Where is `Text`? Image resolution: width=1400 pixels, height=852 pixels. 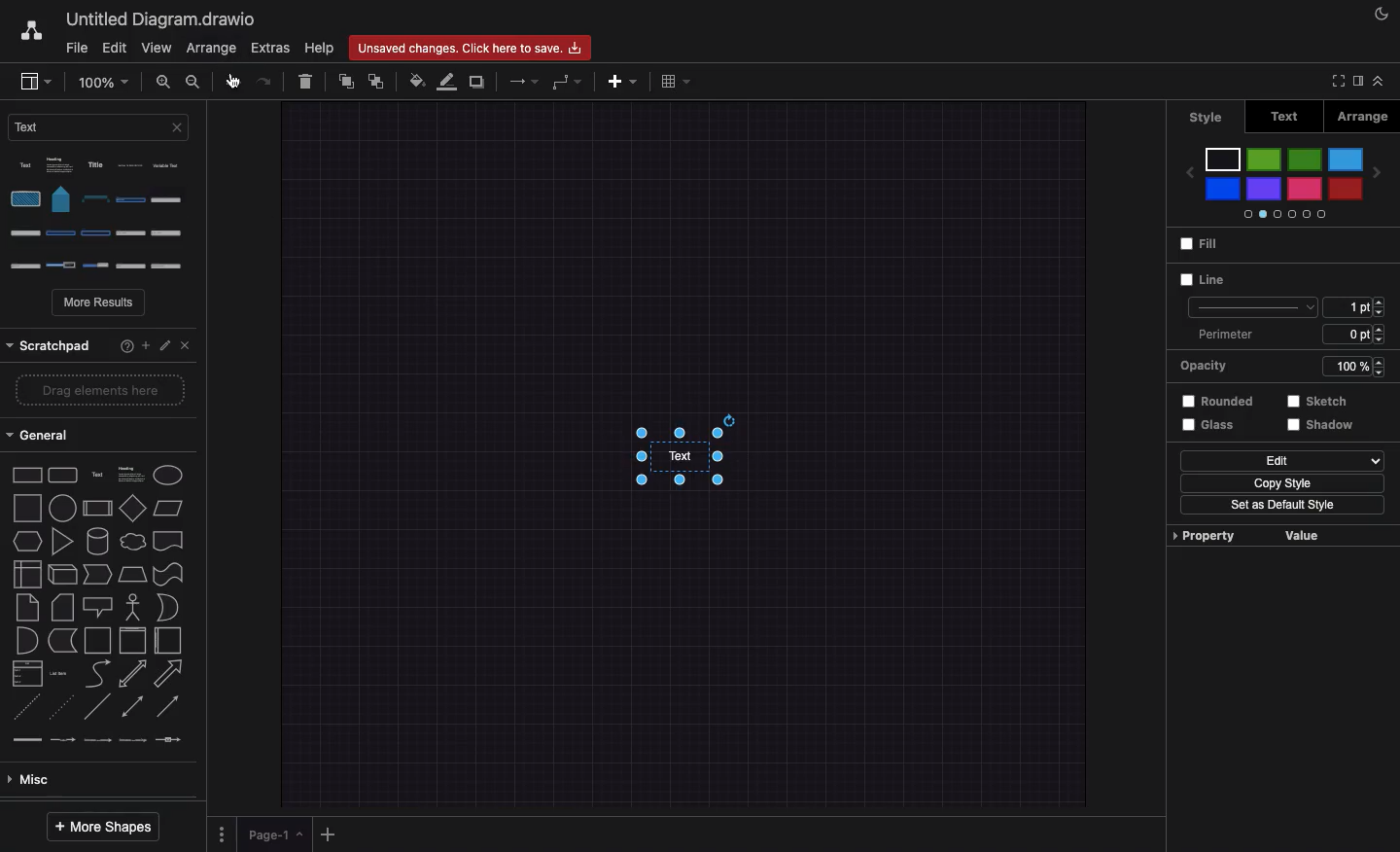
Text is located at coordinates (677, 457).